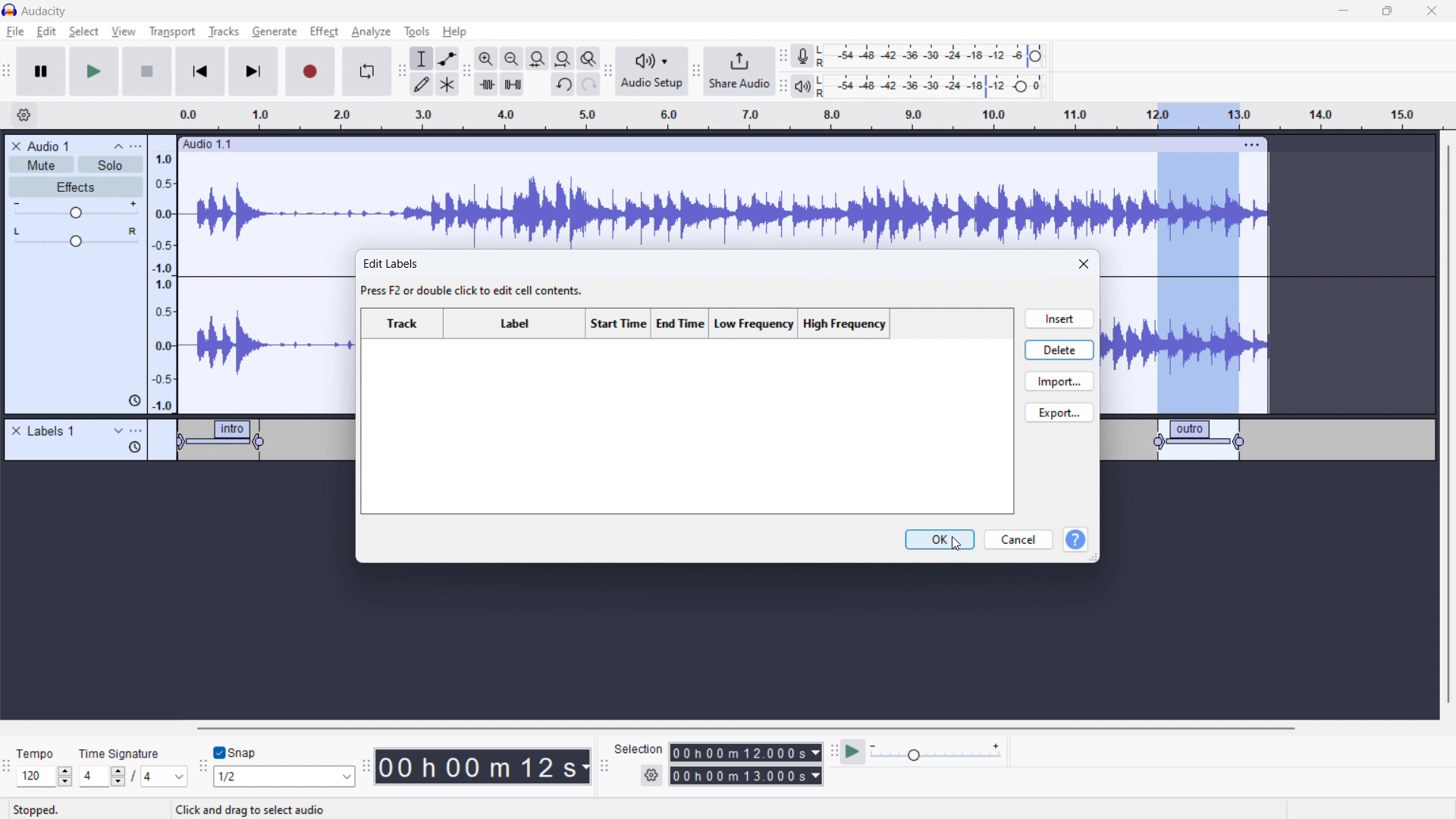  I want to click on cursor, so click(959, 545).